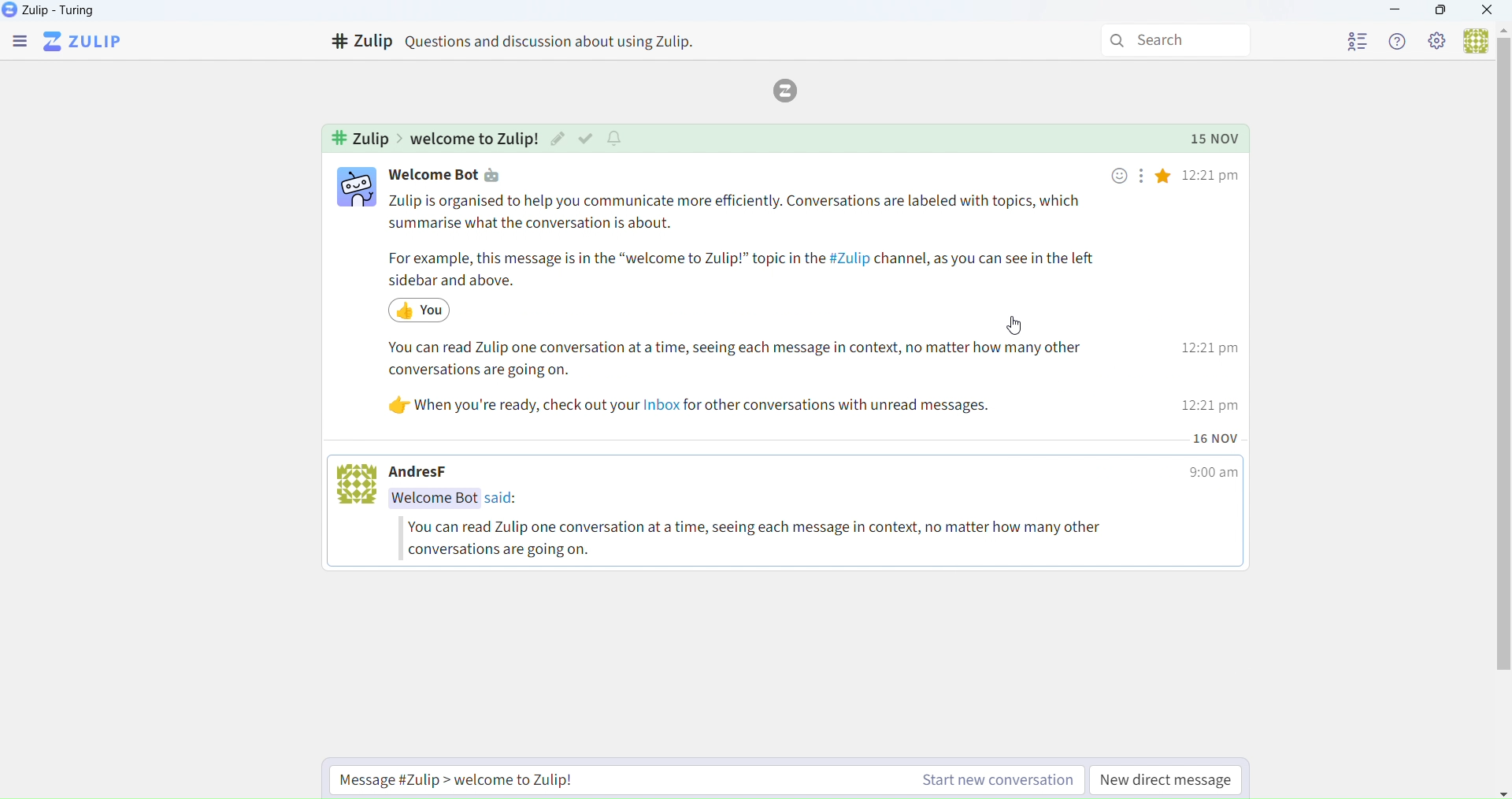 The width and height of the screenshot is (1512, 799). What do you see at coordinates (1471, 40) in the screenshot?
I see `User` at bounding box center [1471, 40].